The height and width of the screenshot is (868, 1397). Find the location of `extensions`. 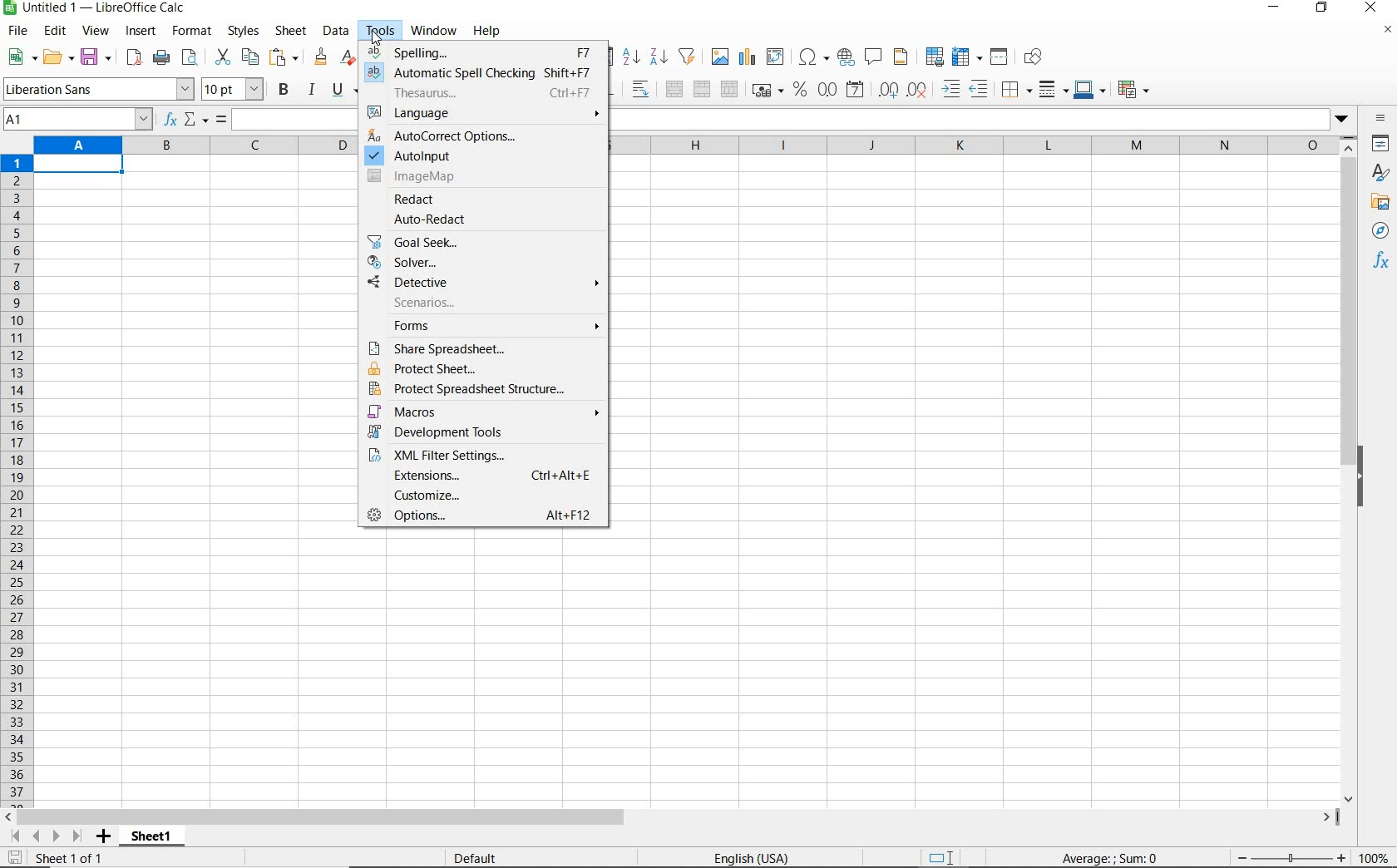

extensions is located at coordinates (483, 476).